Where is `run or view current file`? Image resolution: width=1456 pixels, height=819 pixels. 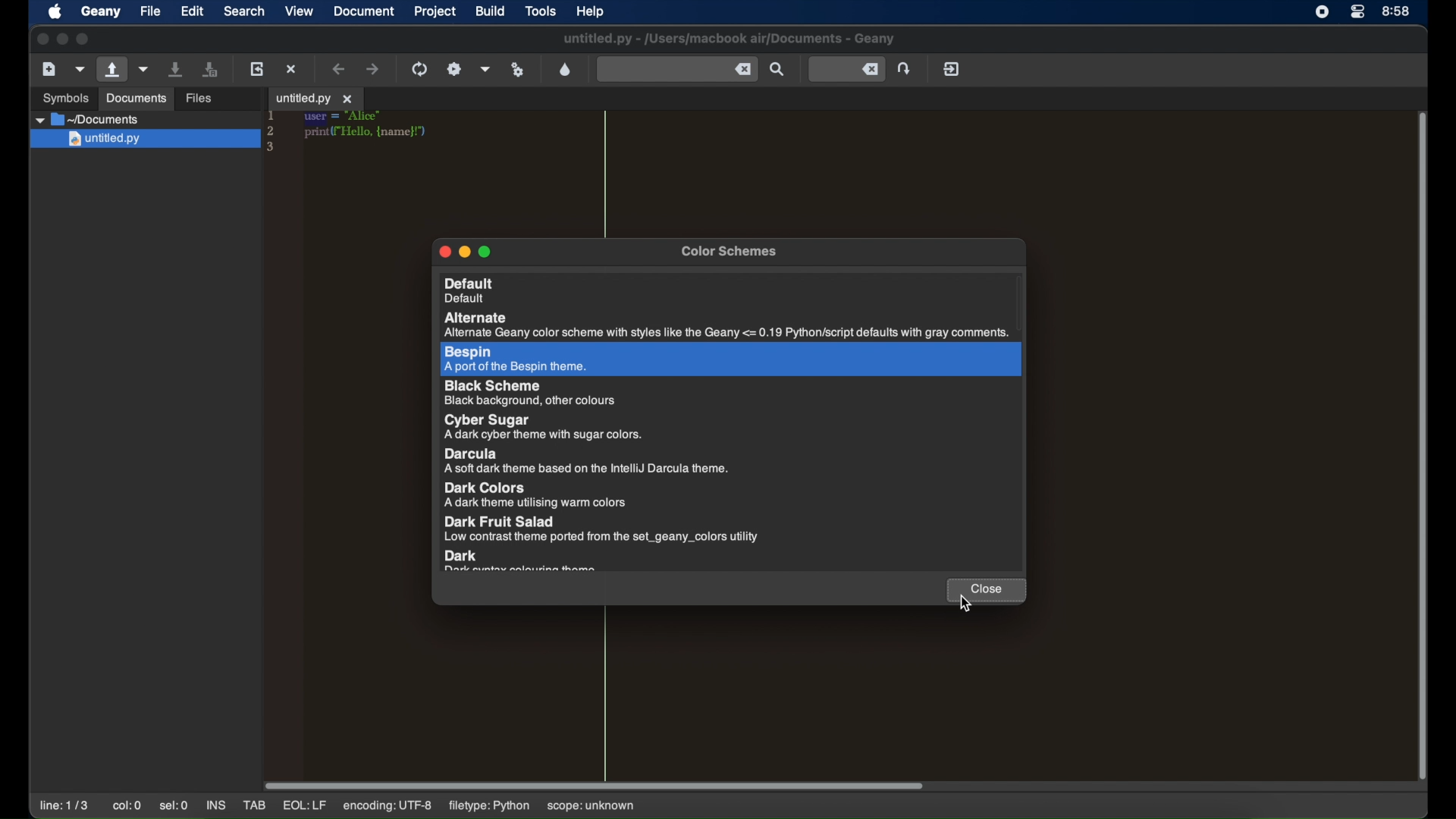 run or view current file is located at coordinates (518, 70).